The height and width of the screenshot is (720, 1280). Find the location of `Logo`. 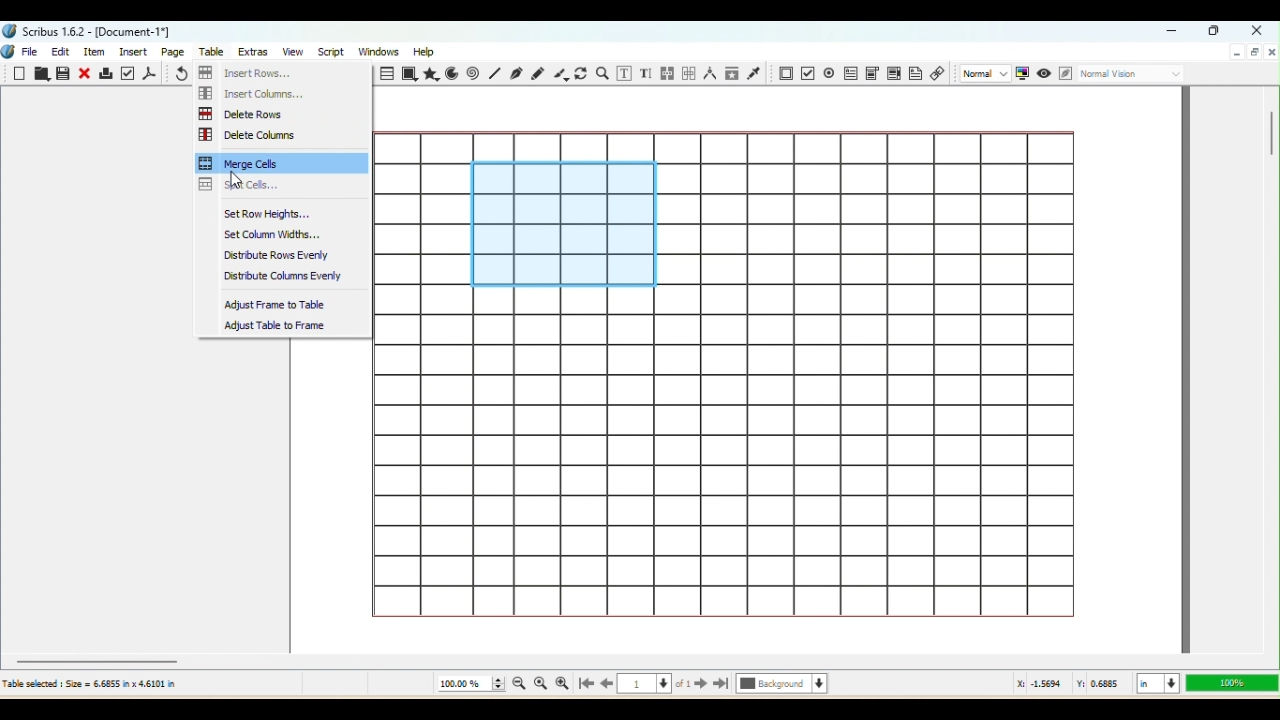

Logo is located at coordinates (9, 53).